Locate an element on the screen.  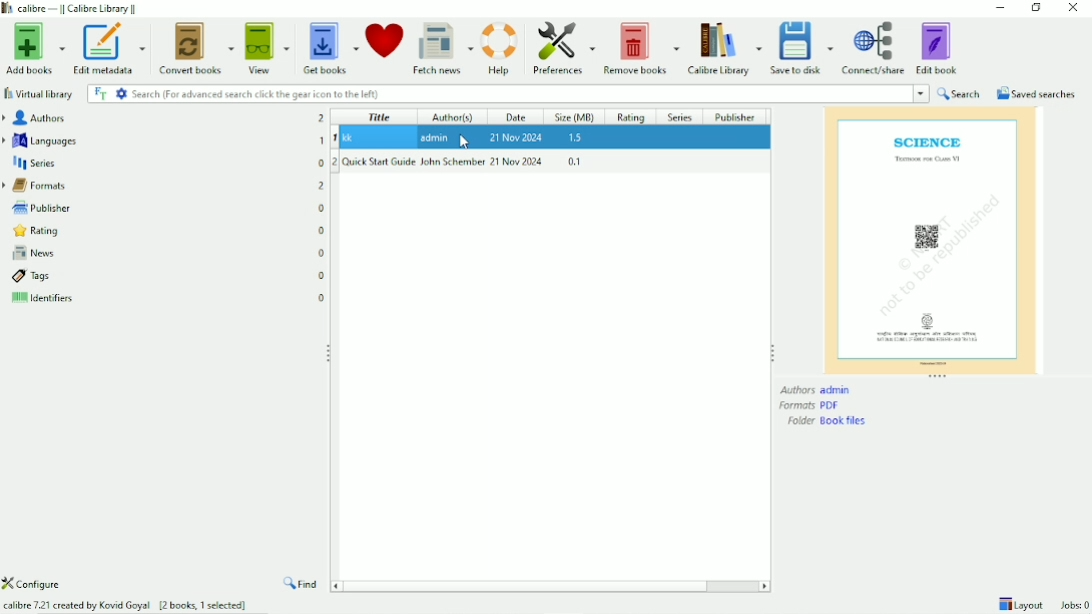
Rating is located at coordinates (165, 232).